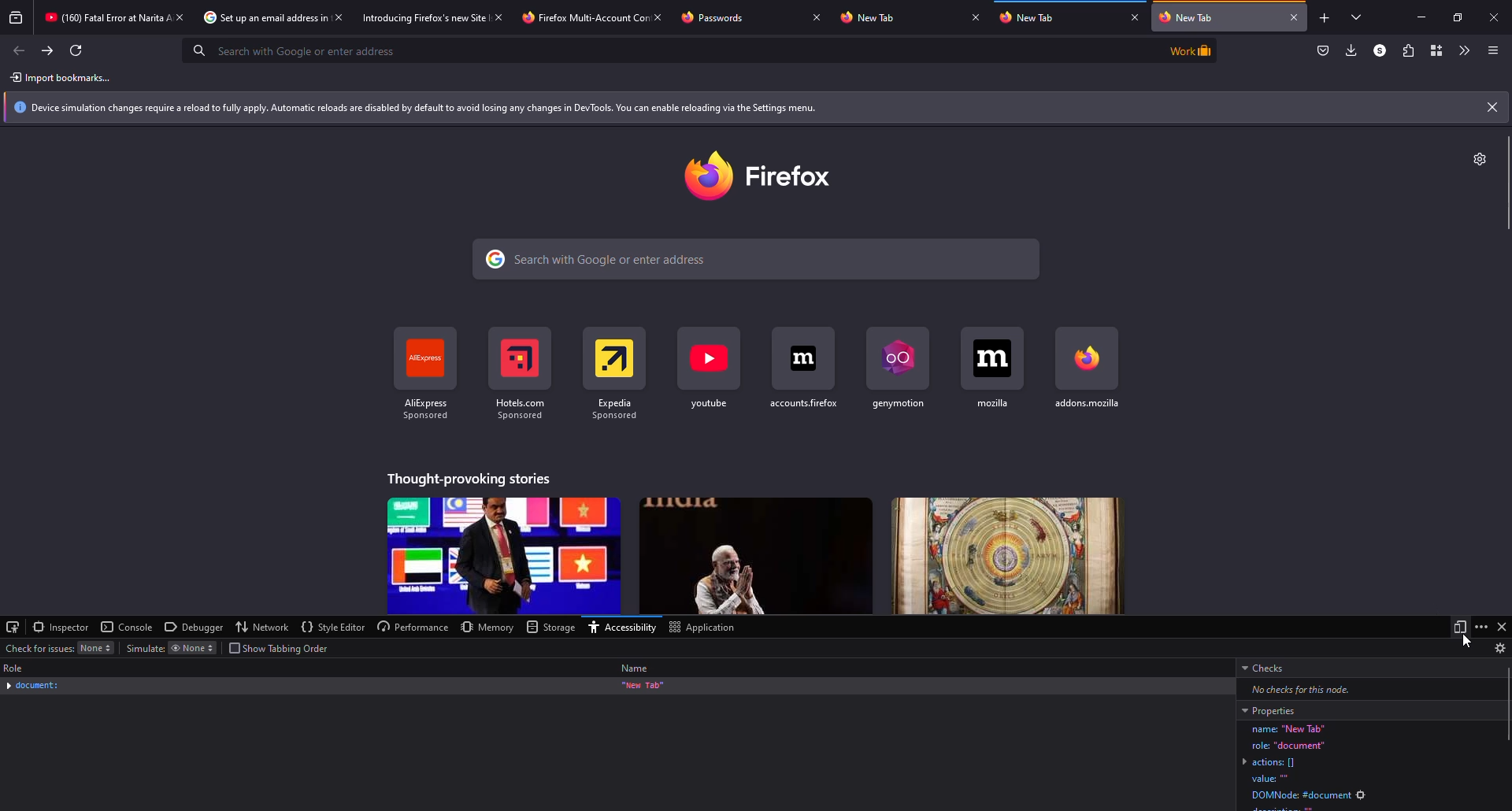 This screenshot has width=1512, height=811. I want to click on Firefox name and logo, so click(758, 177).